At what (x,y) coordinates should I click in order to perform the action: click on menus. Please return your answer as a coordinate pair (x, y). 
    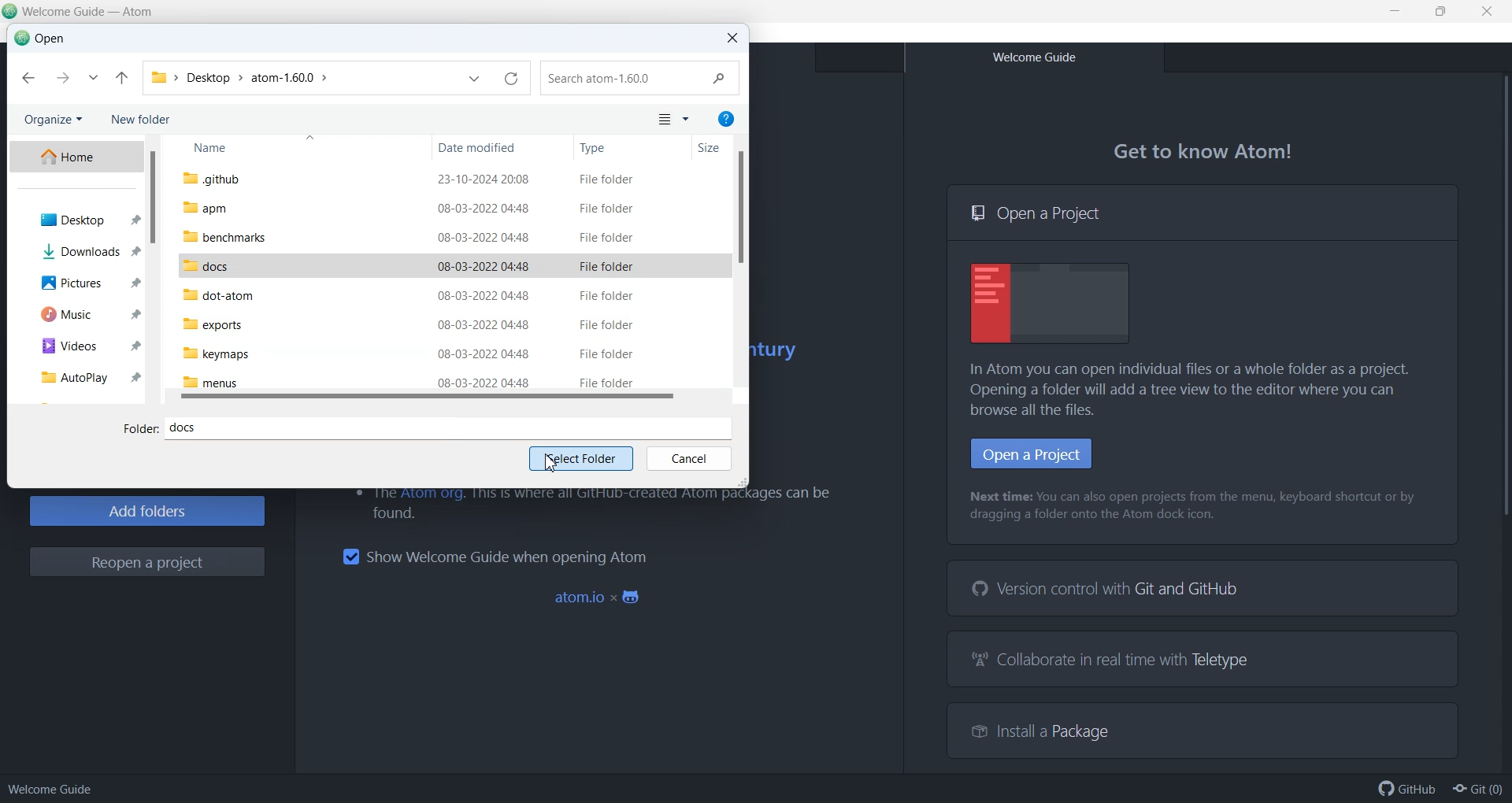
    Looking at the image, I should click on (210, 383).